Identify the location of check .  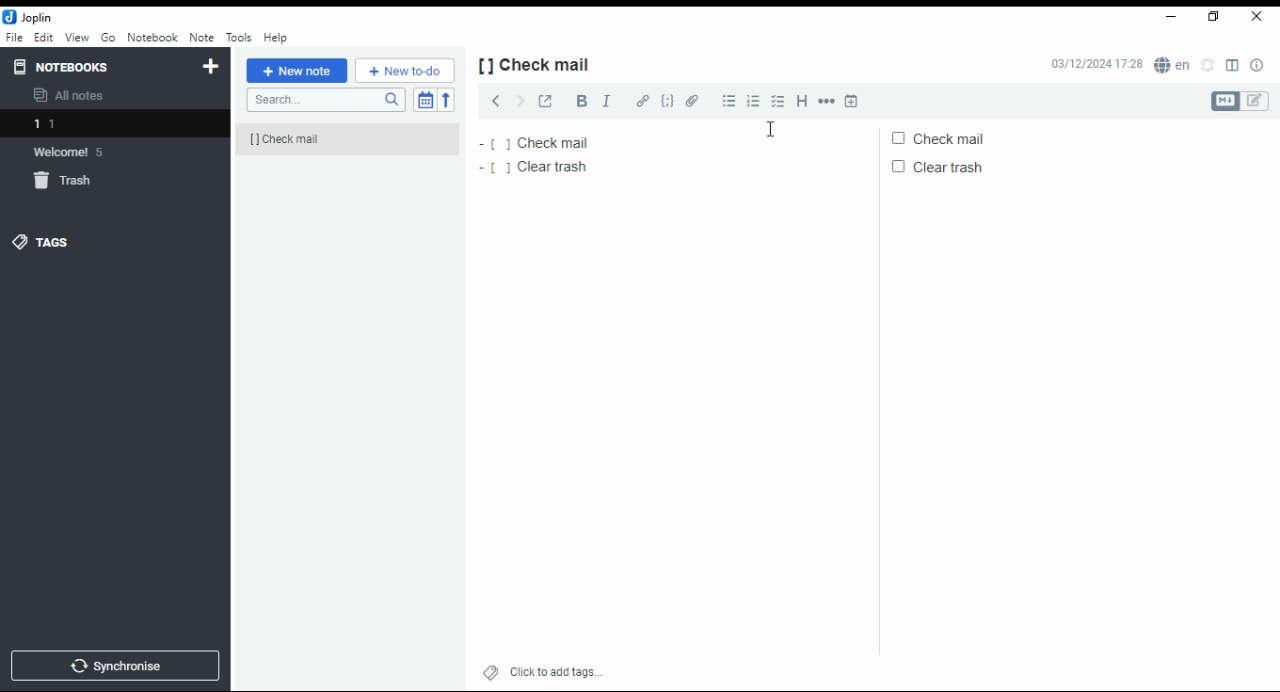
(948, 139).